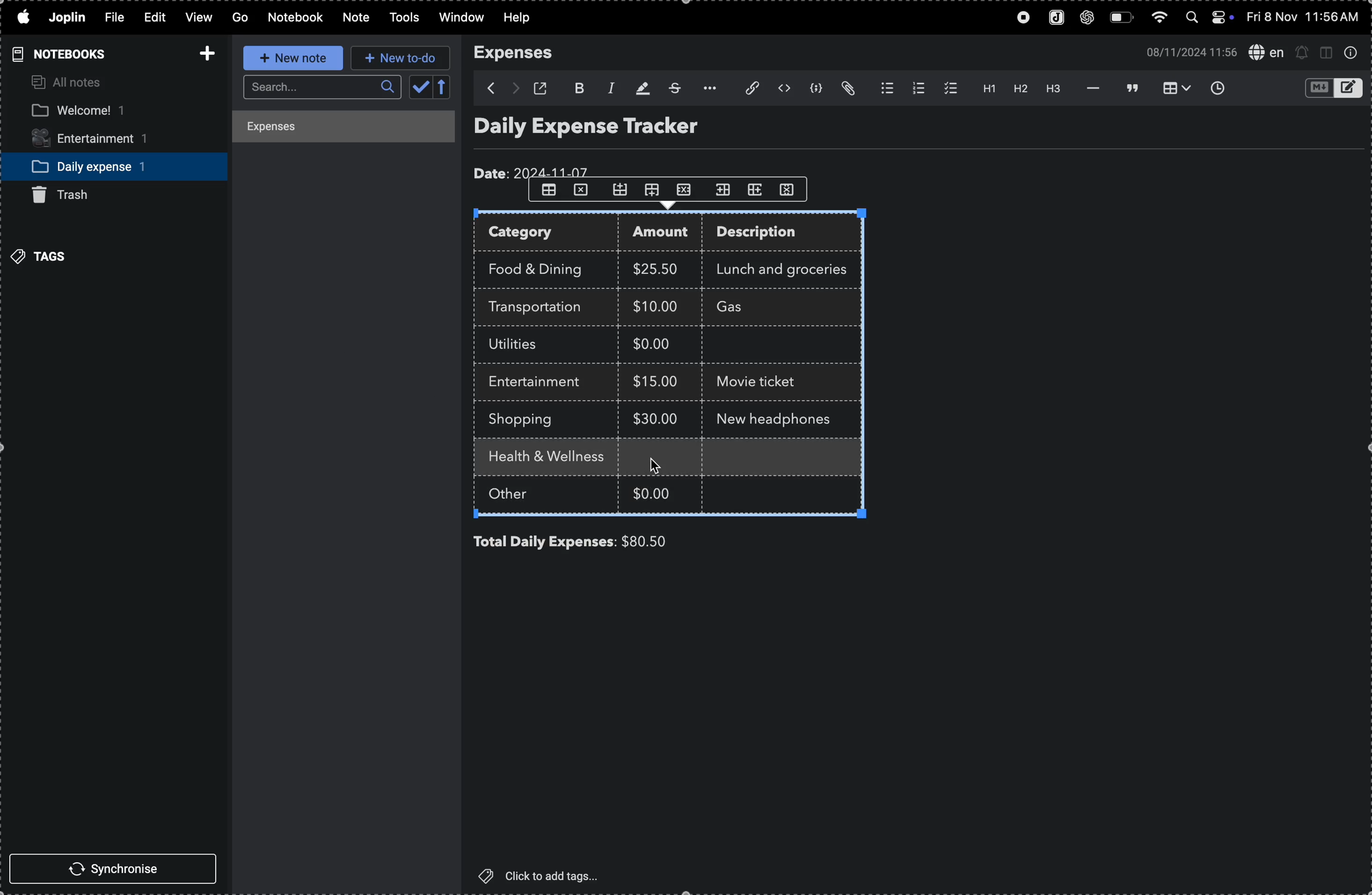 Image resolution: width=1372 pixels, height=895 pixels. What do you see at coordinates (1158, 20) in the screenshot?
I see `wifi` at bounding box center [1158, 20].